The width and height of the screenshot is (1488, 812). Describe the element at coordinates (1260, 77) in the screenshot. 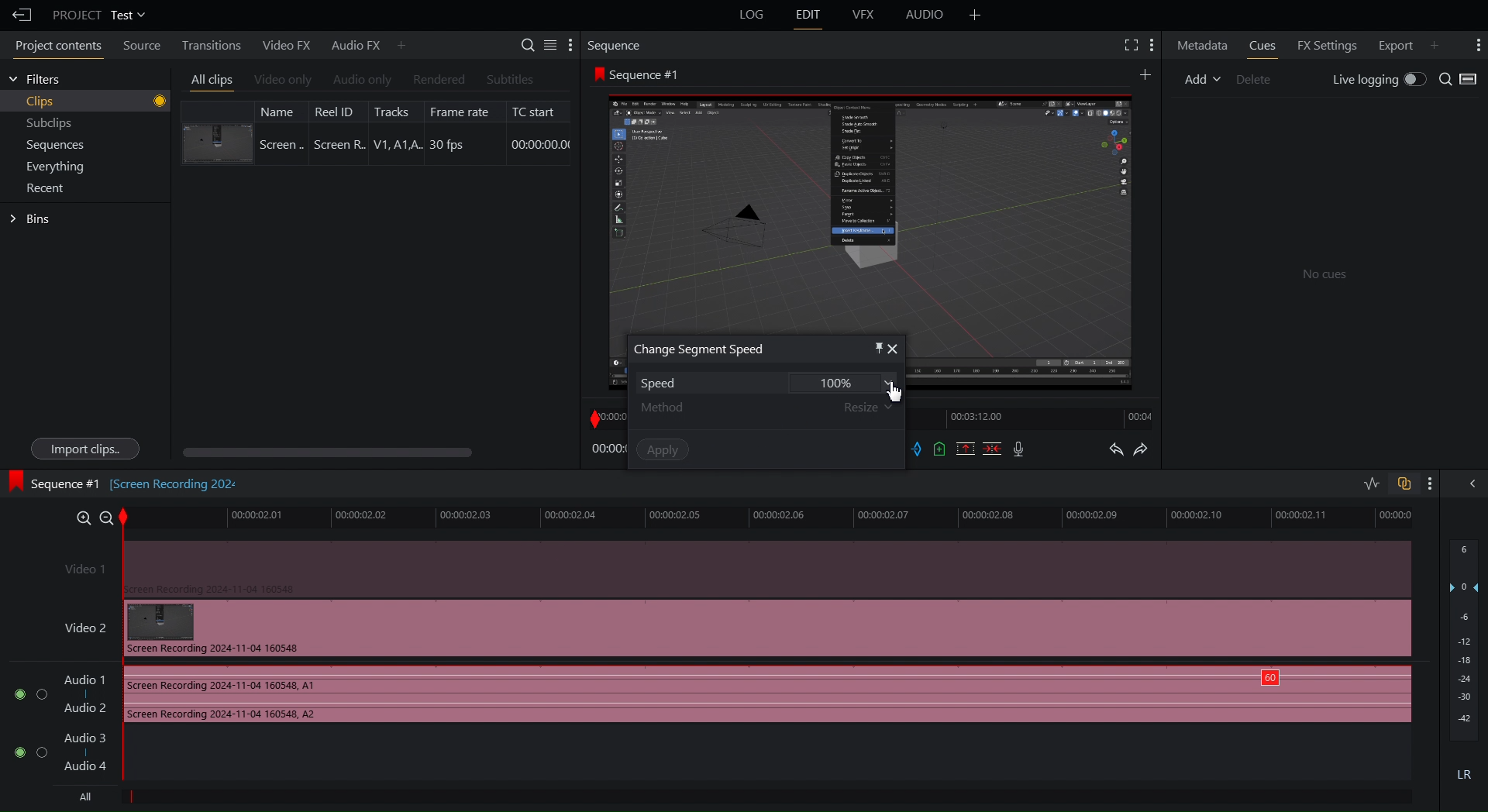

I see `Delete` at that location.